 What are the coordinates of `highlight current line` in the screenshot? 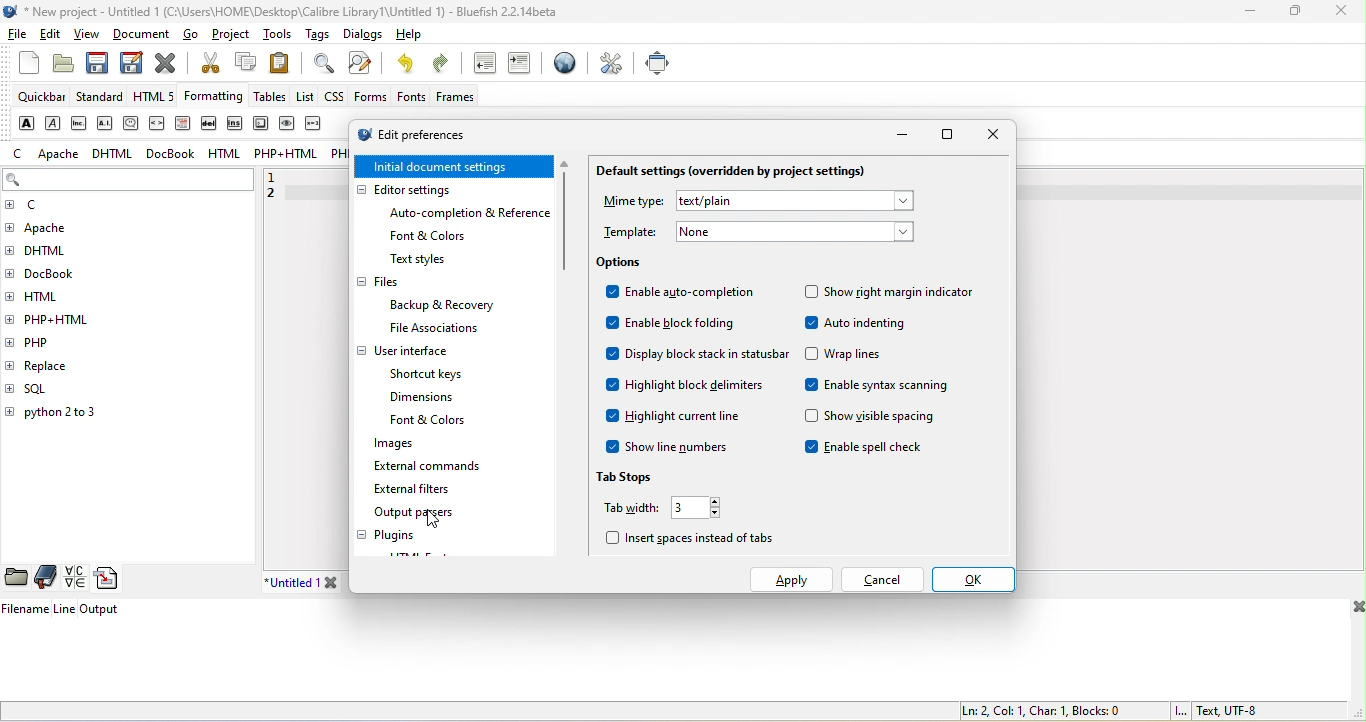 It's located at (677, 419).